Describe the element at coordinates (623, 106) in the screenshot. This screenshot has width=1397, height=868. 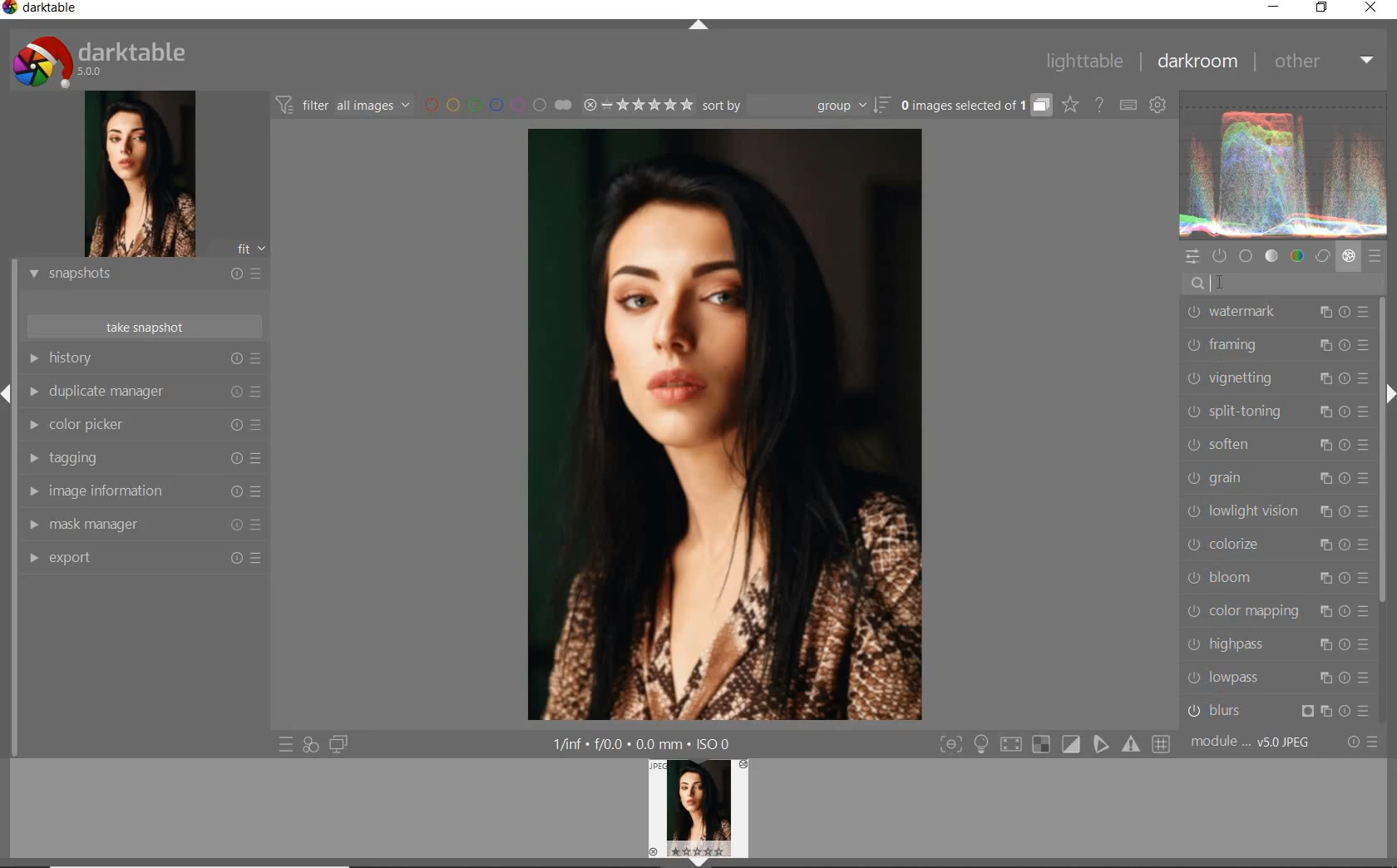
I see `range ratings for selected images` at that location.